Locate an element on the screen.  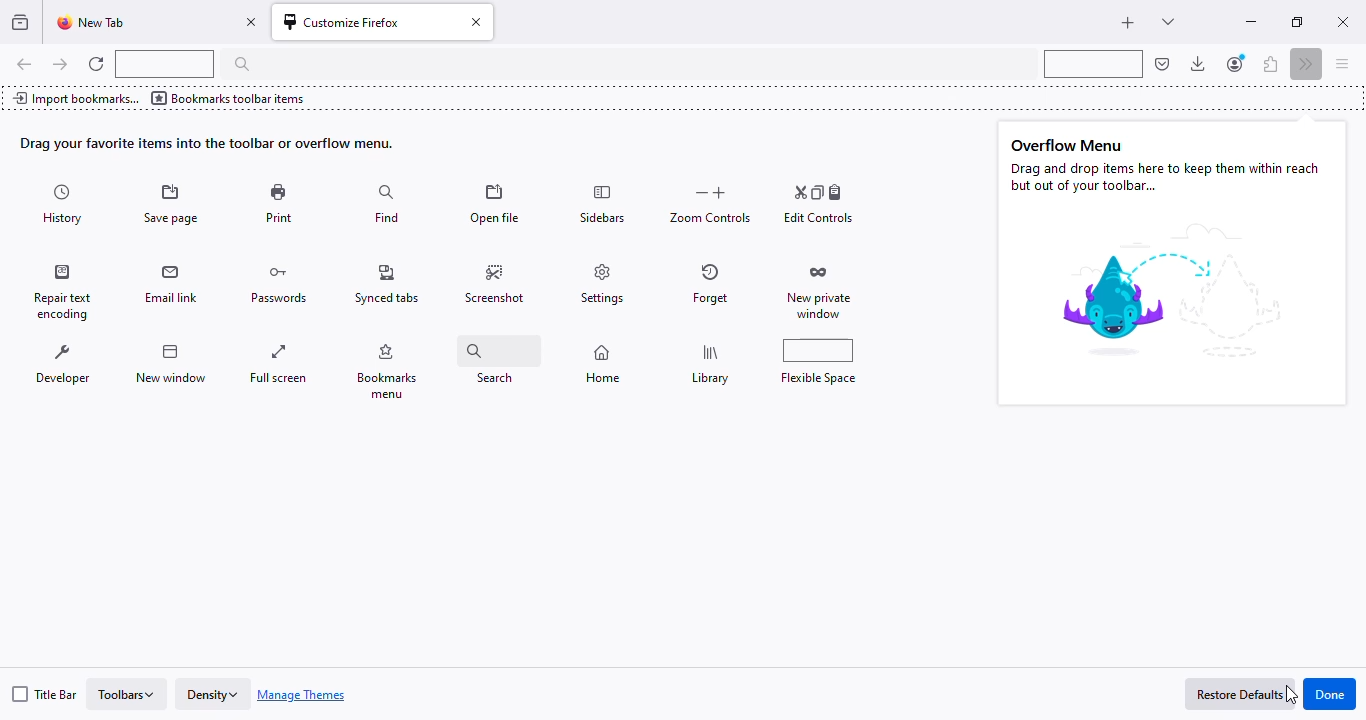
repair text encoding is located at coordinates (63, 293).